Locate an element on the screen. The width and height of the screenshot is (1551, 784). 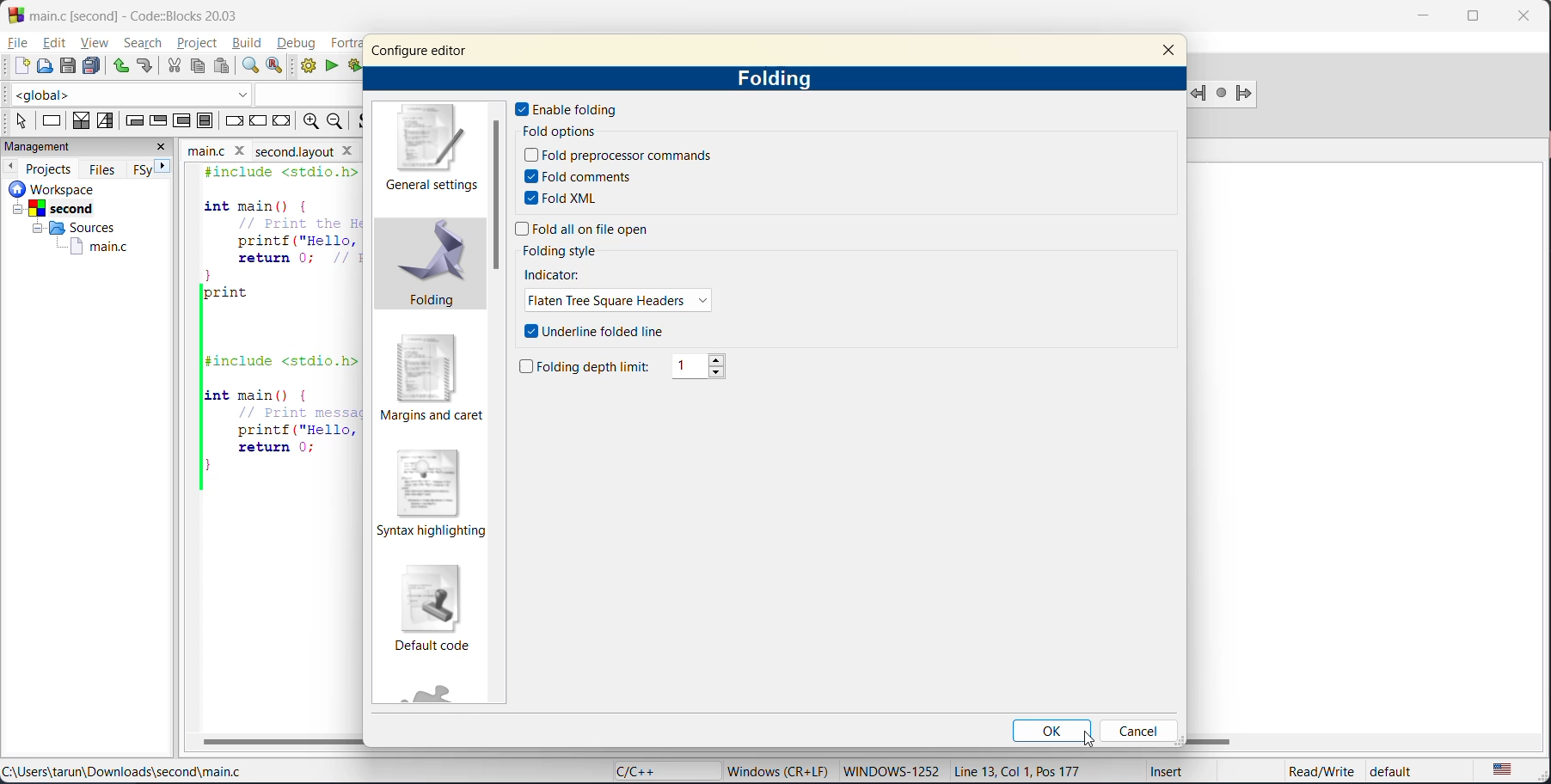
management is located at coordinates (70, 147).